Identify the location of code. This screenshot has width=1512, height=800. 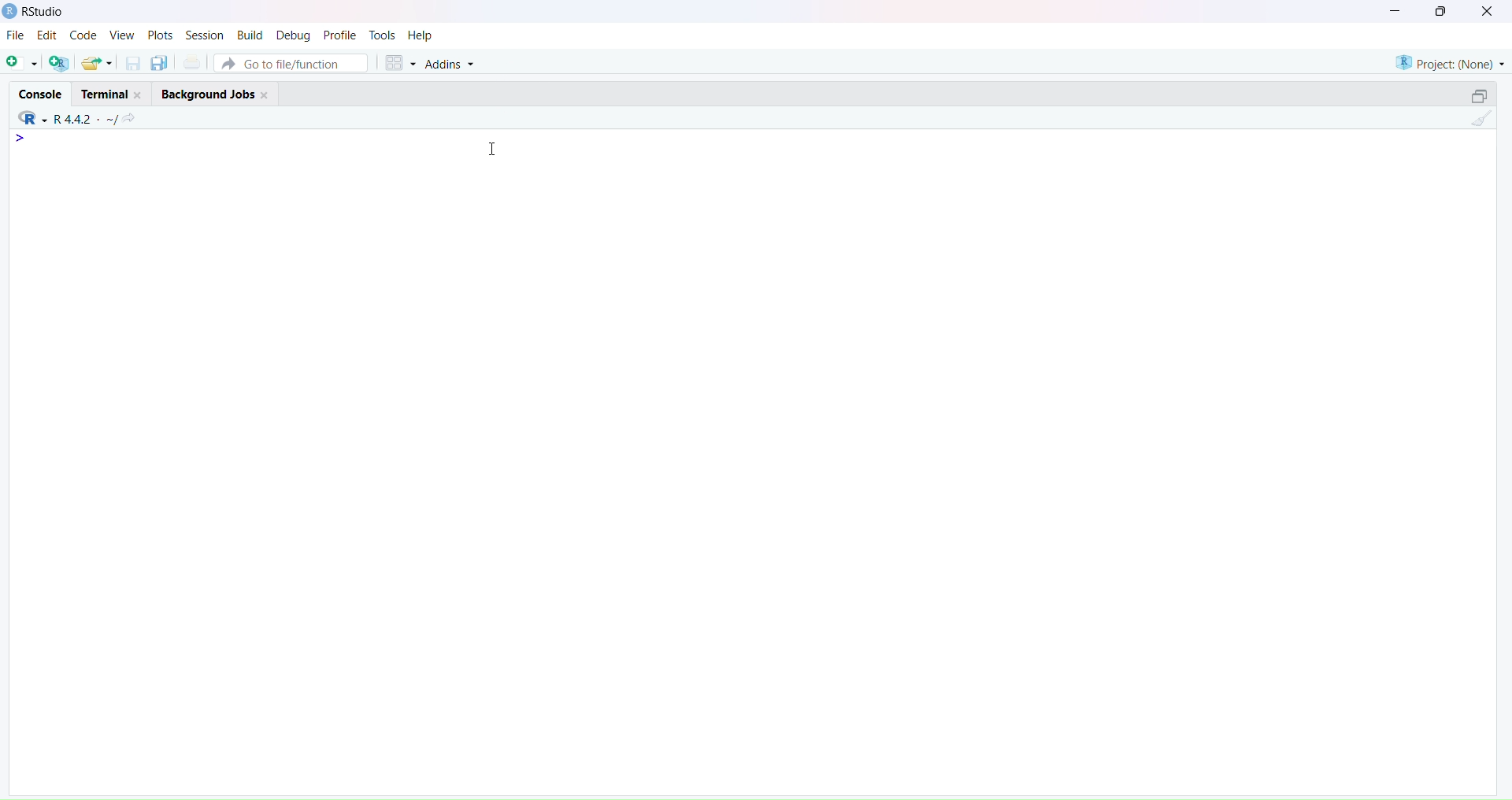
(87, 36).